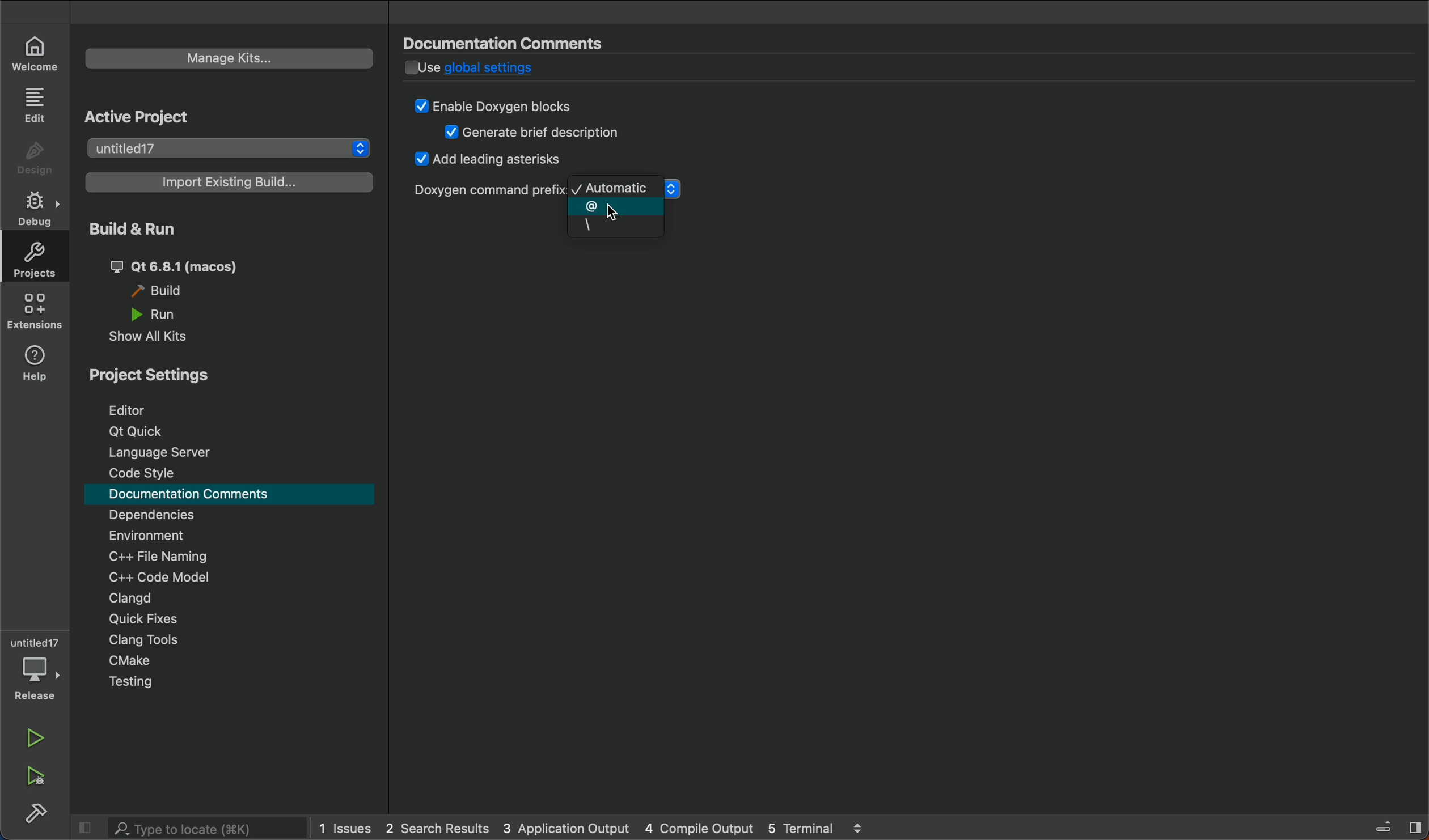  I want to click on run, so click(35, 737).